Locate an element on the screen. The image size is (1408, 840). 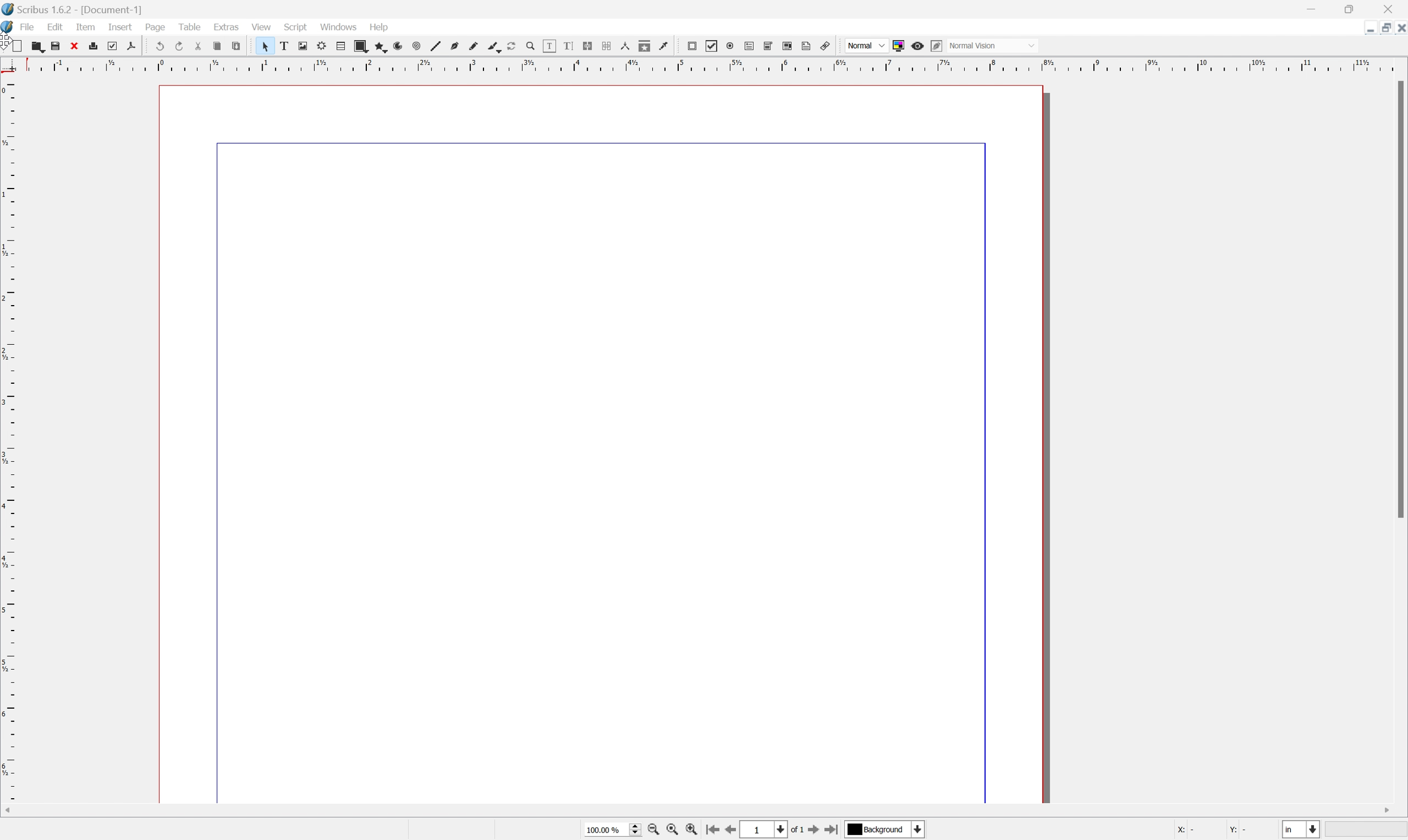
redo is located at coordinates (181, 46).